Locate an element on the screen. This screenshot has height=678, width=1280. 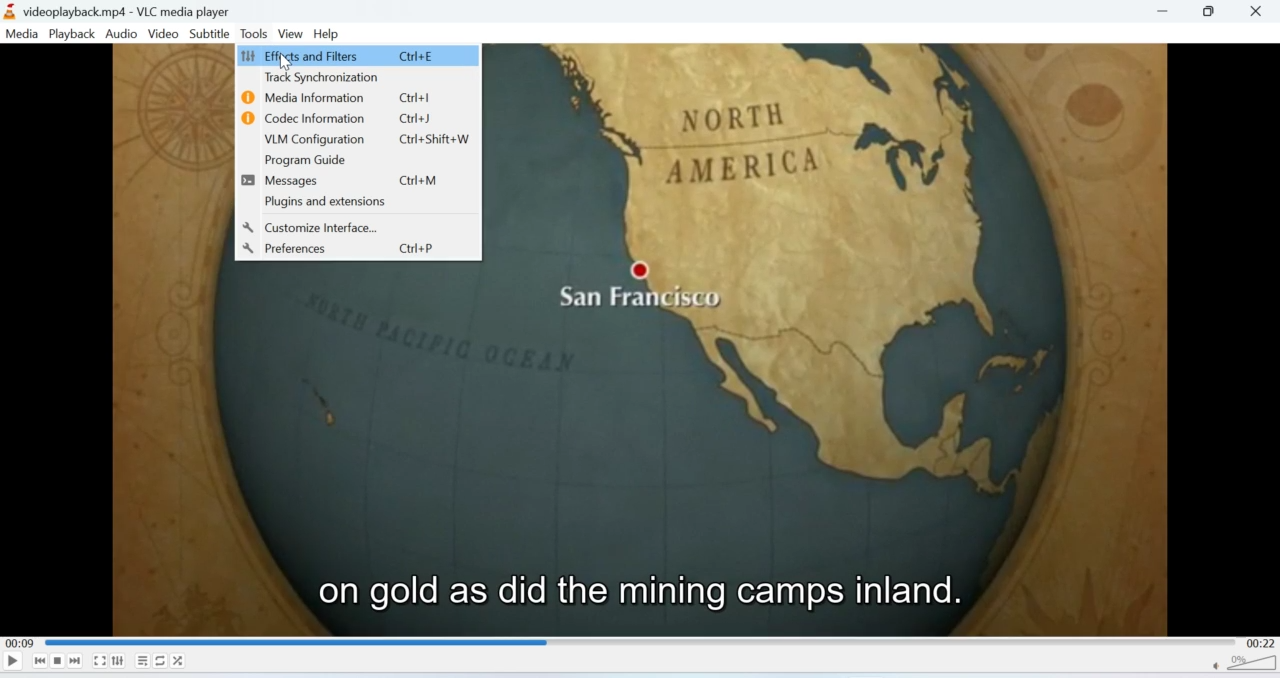
Ctrl+I is located at coordinates (414, 96).